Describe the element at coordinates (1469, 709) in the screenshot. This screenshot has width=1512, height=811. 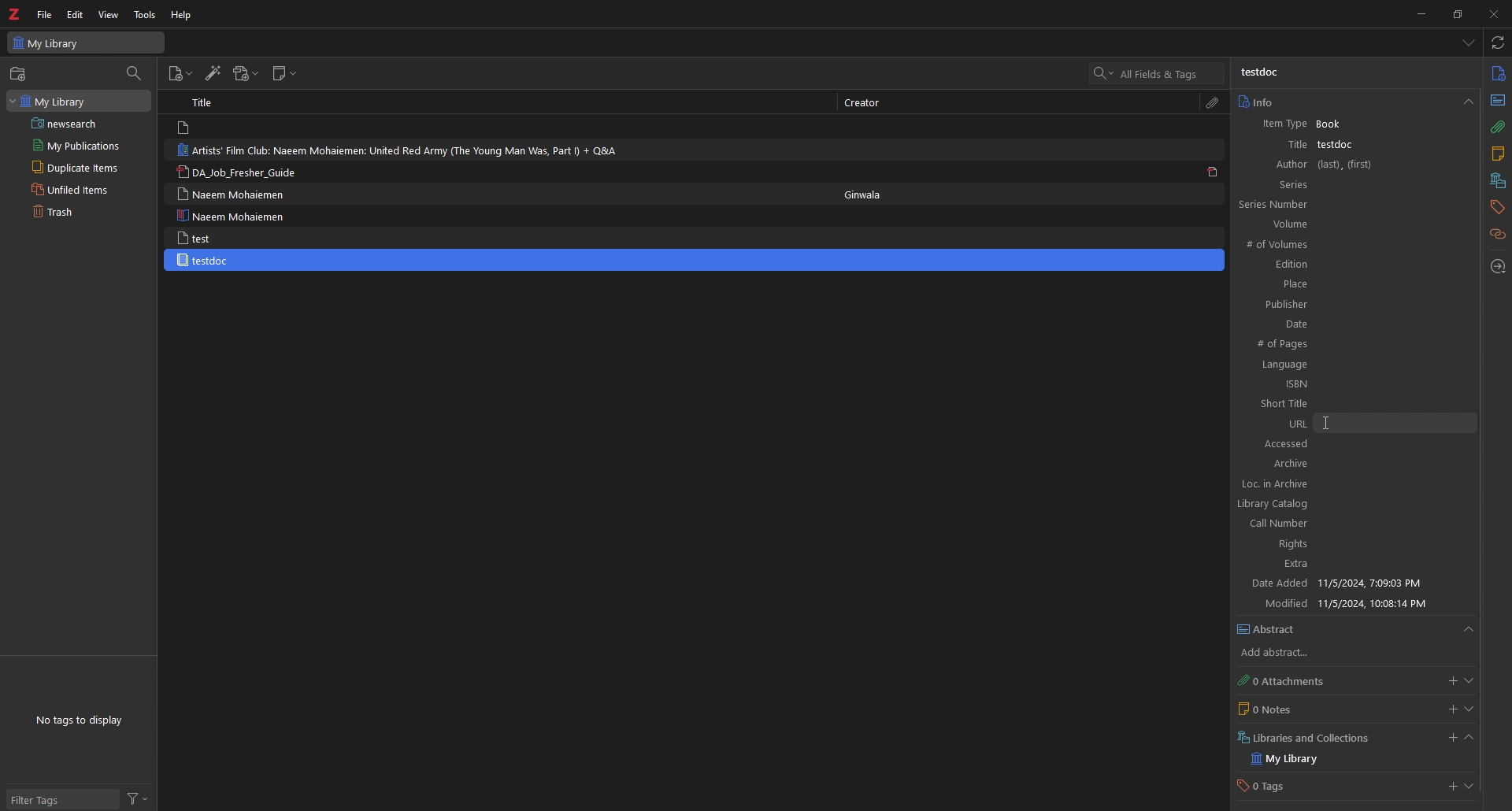
I see `show` at that location.